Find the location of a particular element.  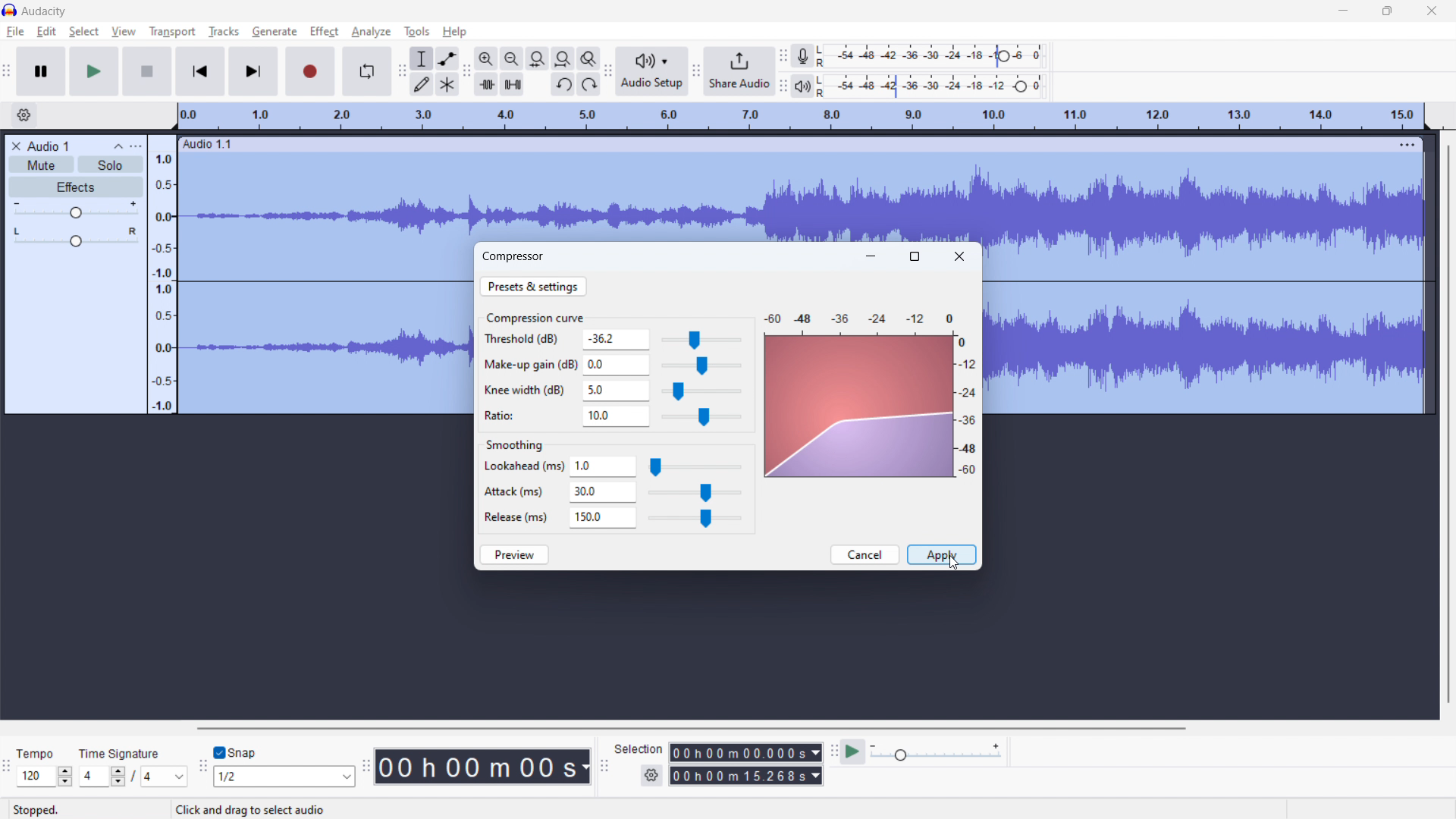

 is located at coordinates (401, 71).